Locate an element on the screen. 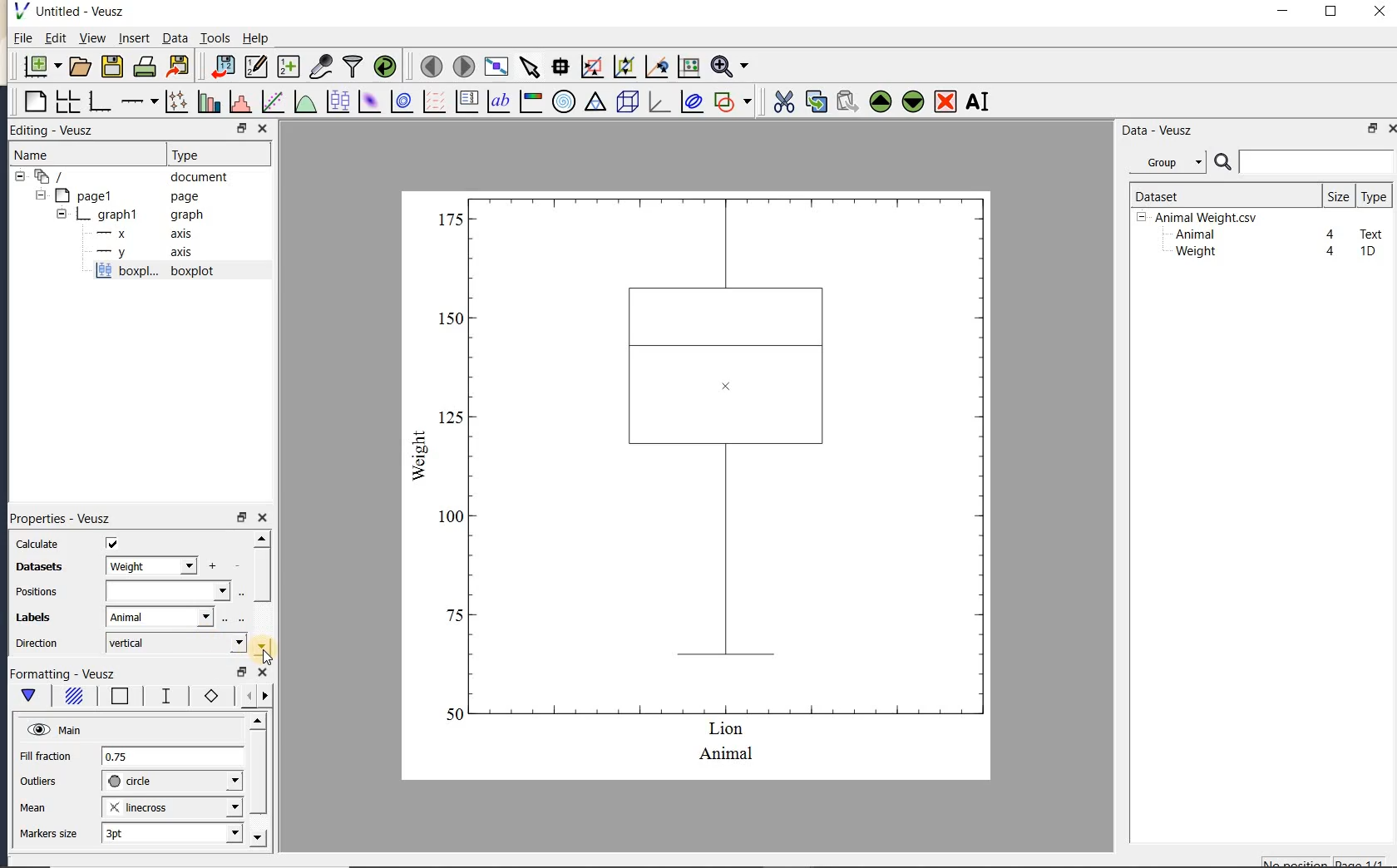 The image size is (1397, 868). create new datasets is located at coordinates (289, 65).